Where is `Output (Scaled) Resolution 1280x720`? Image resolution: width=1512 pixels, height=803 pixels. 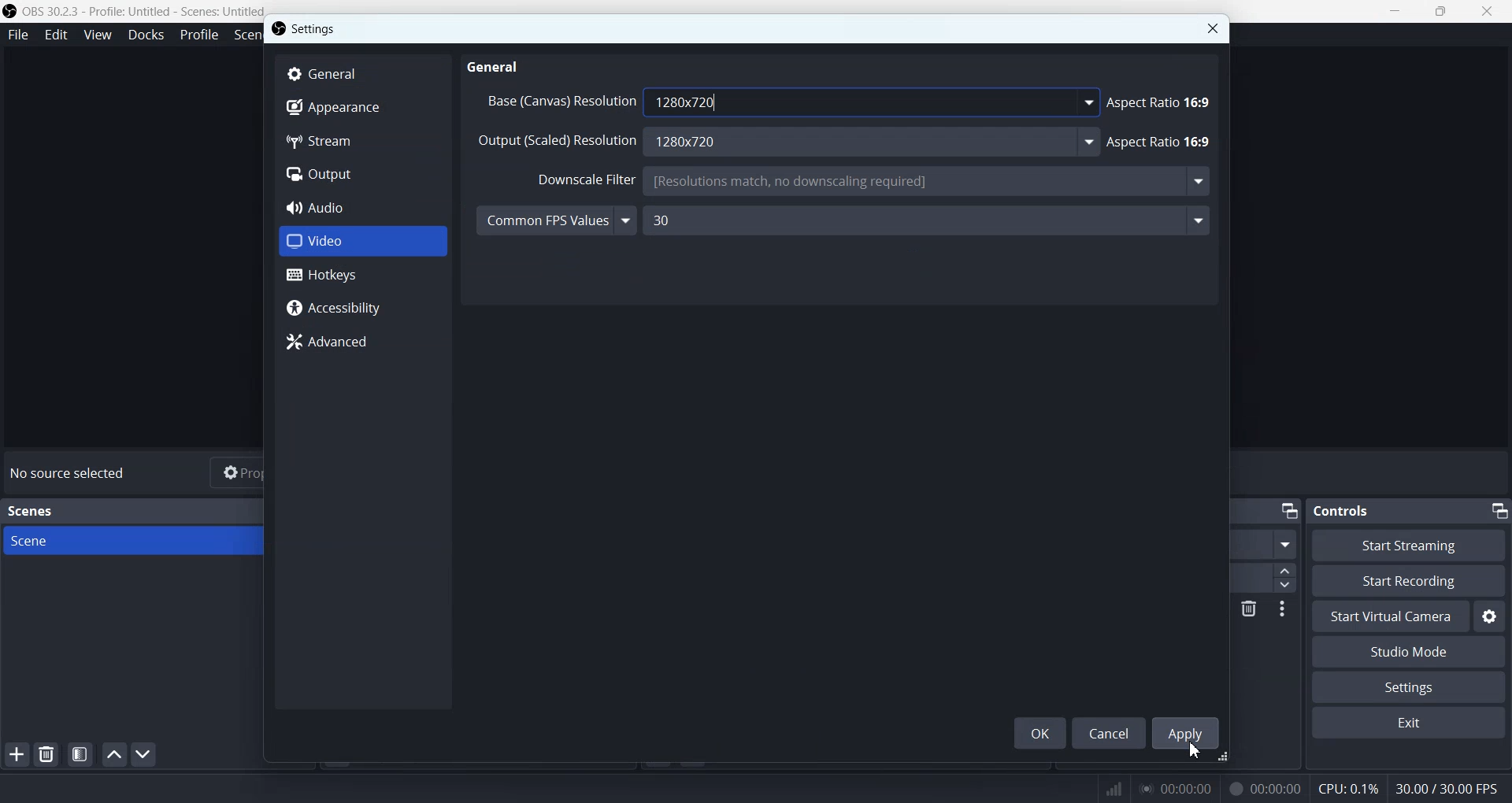
Output (Scaled) Resolution 1280x720 is located at coordinates (785, 141).